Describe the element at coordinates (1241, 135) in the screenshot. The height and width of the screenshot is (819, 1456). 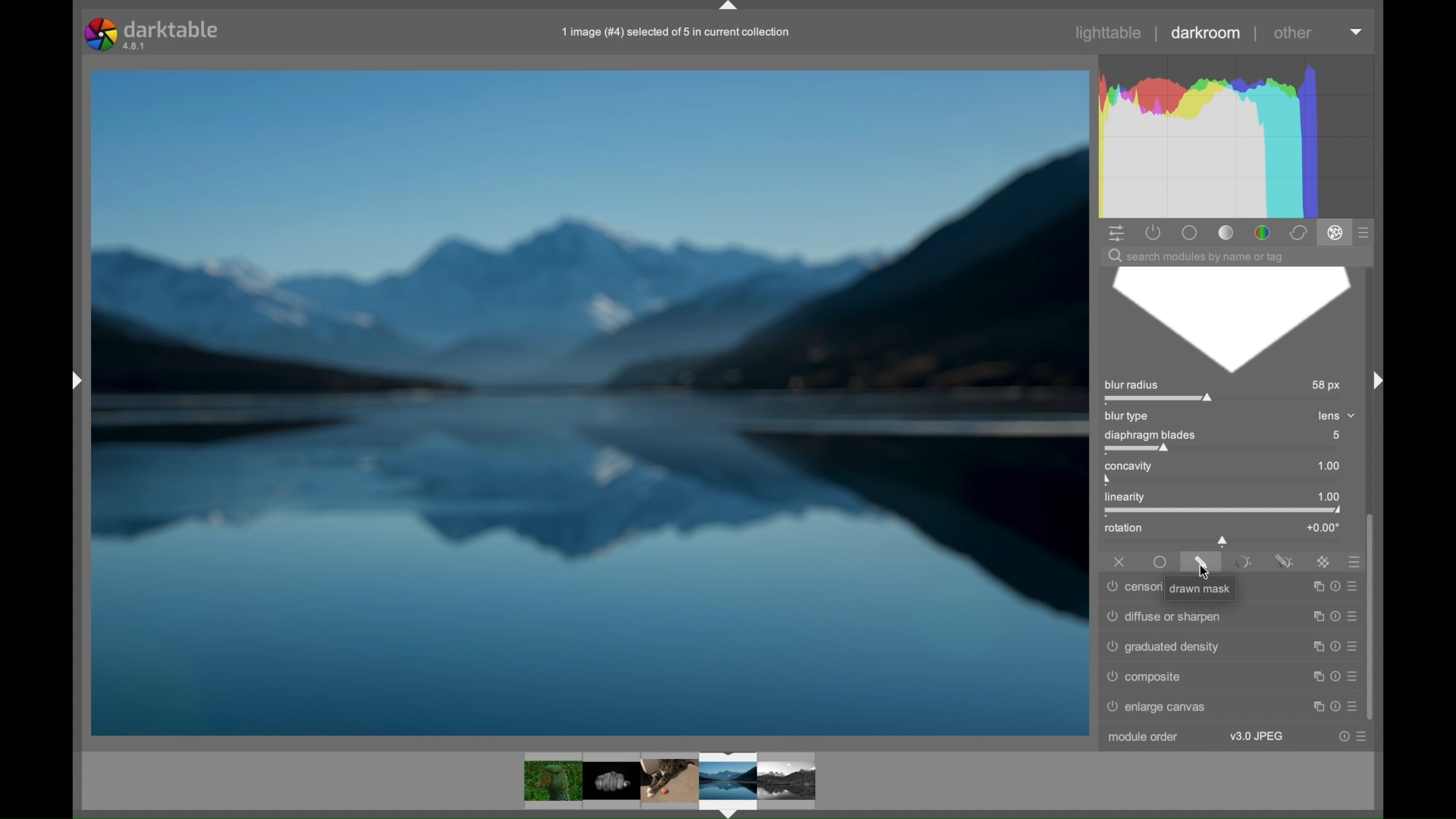
I see `histogram` at that location.